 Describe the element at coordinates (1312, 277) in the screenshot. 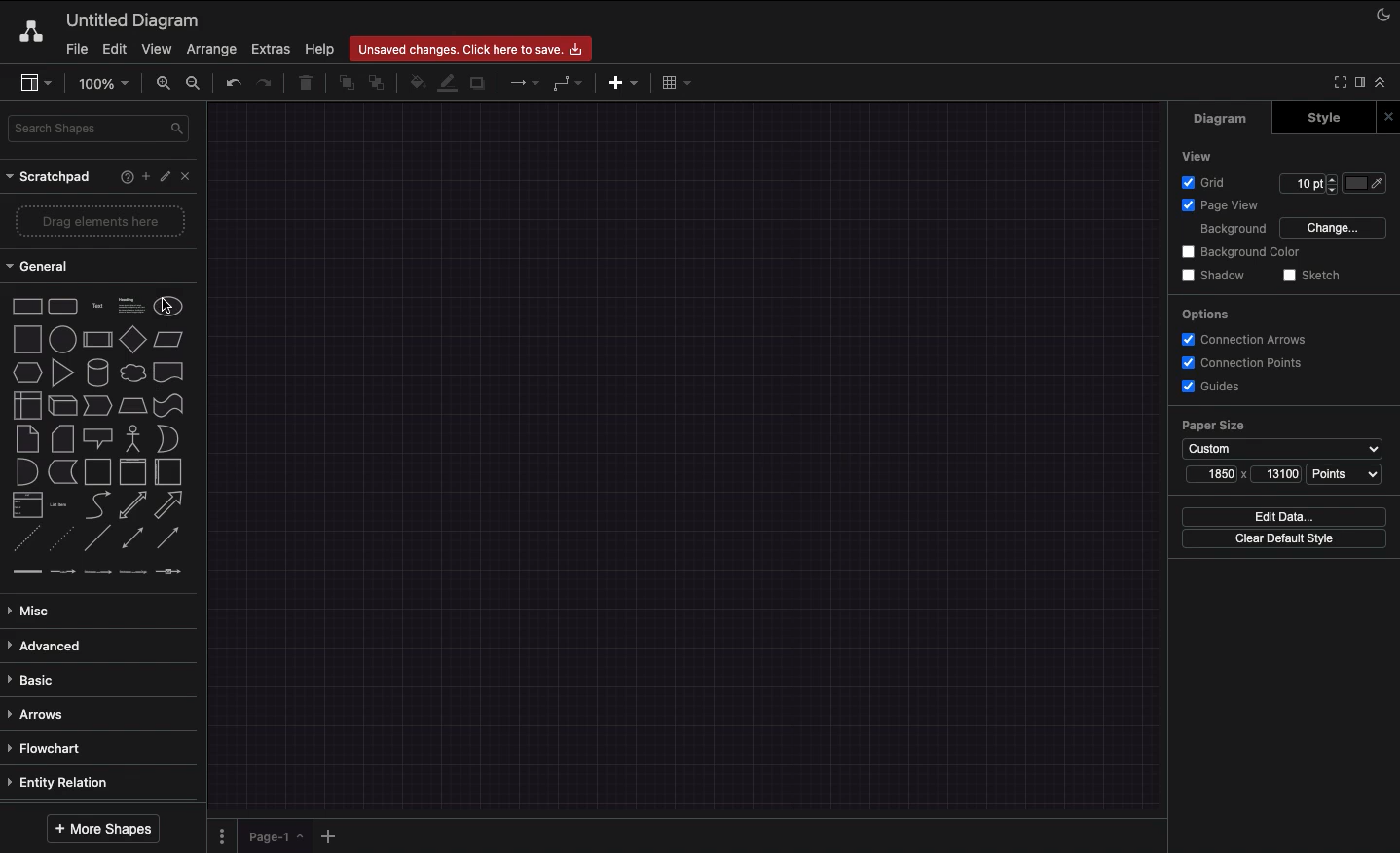

I see `Sketch ` at that location.